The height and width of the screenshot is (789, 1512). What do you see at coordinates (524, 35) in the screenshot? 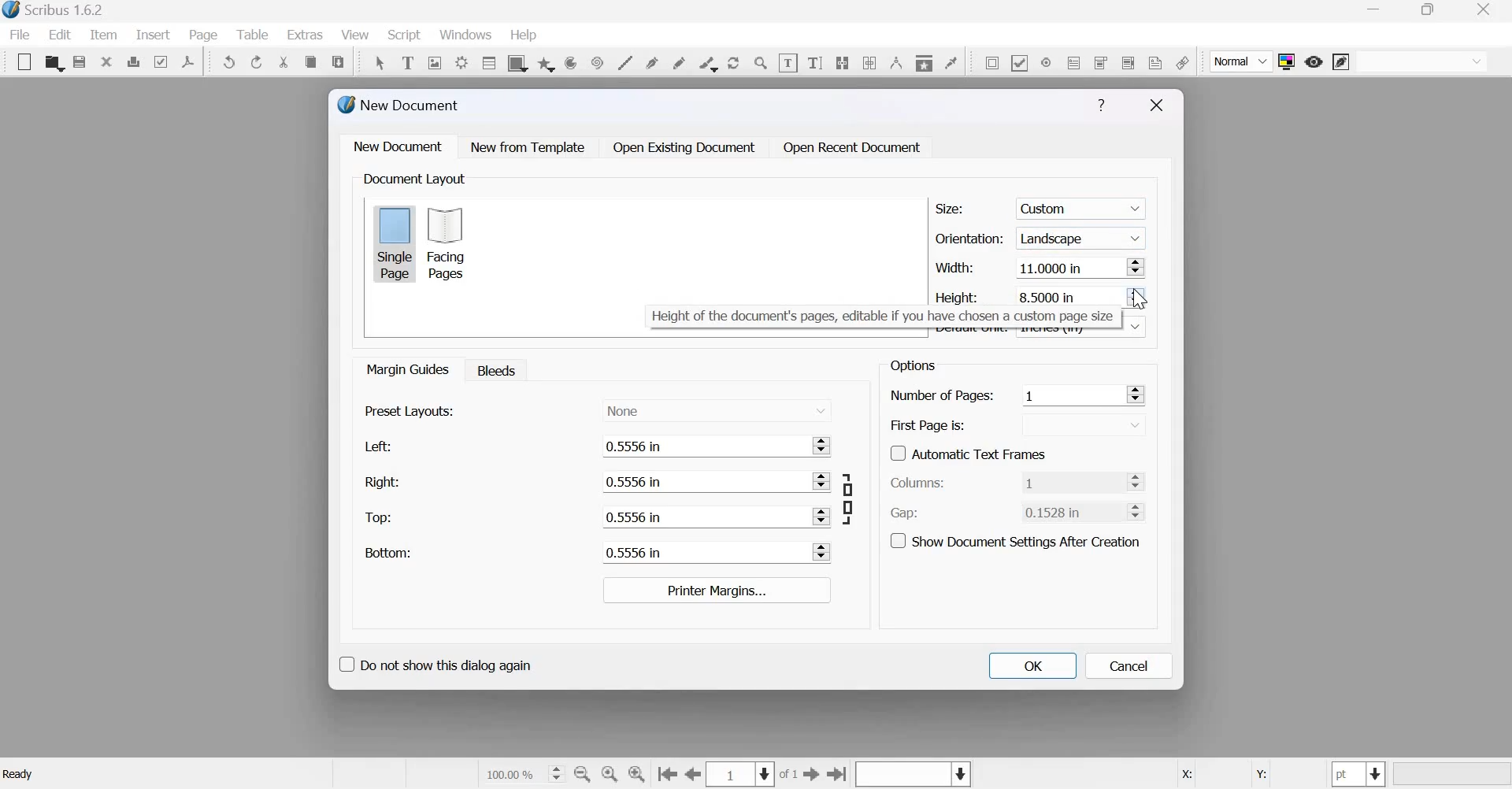
I see `help` at bounding box center [524, 35].